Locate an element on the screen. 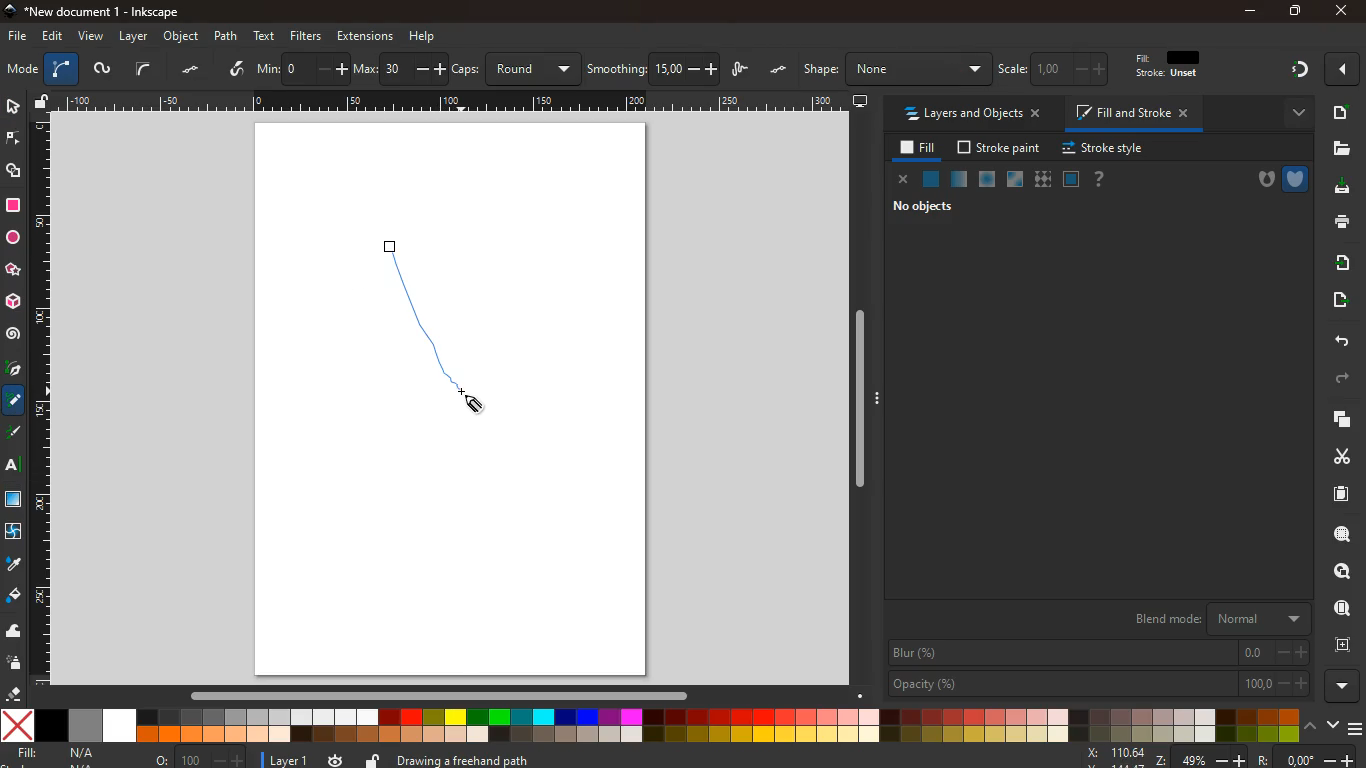 Image resolution: width=1366 pixels, height=768 pixels. find is located at coordinates (1342, 534).